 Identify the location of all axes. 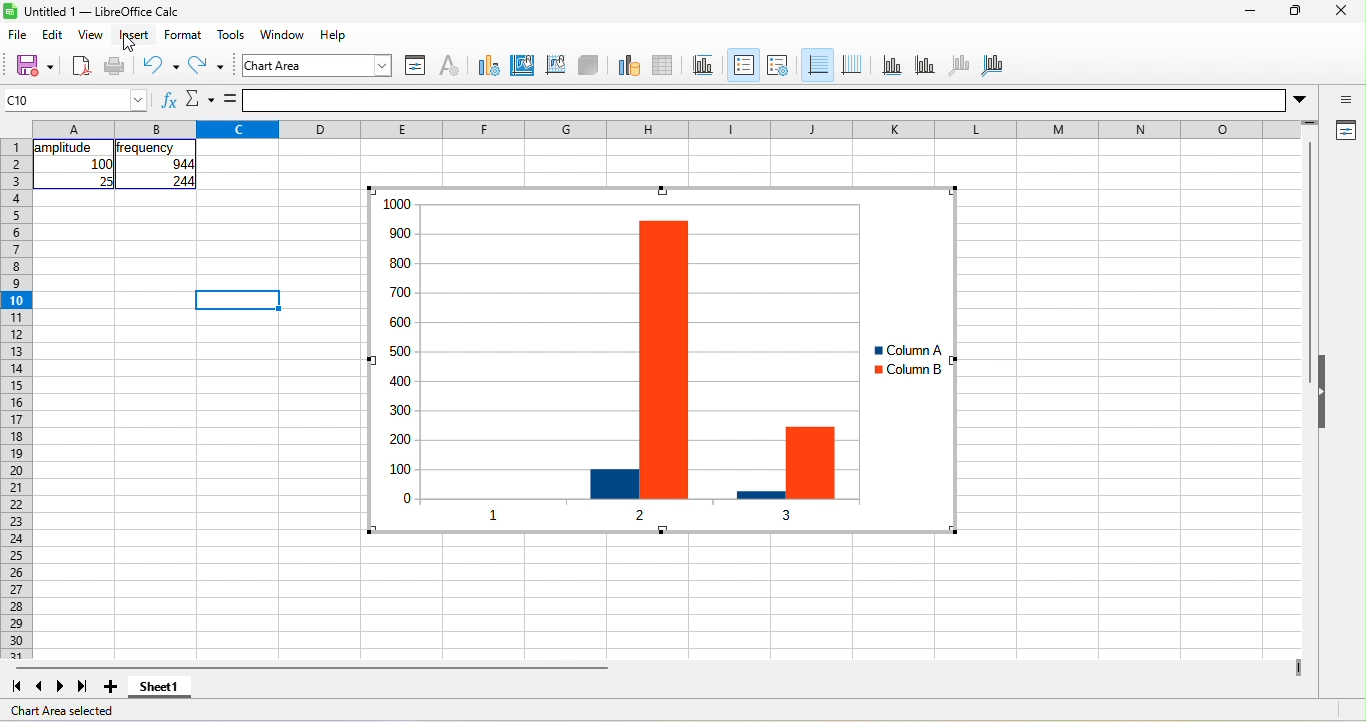
(993, 63).